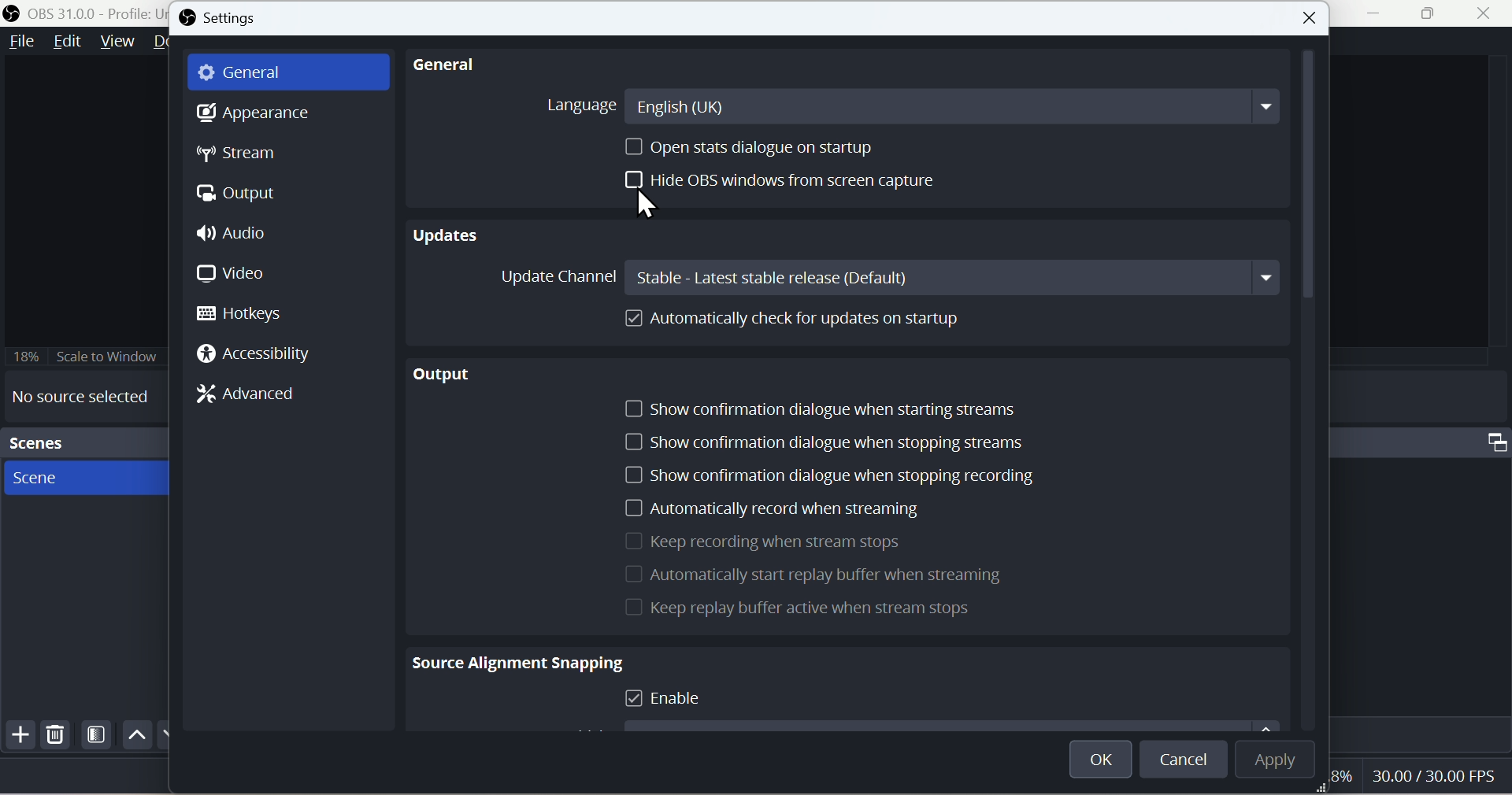 The width and height of the screenshot is (1512, 795). Describe the element at coordinates (25, 356) in the screenshot. I see `18%` at that location.